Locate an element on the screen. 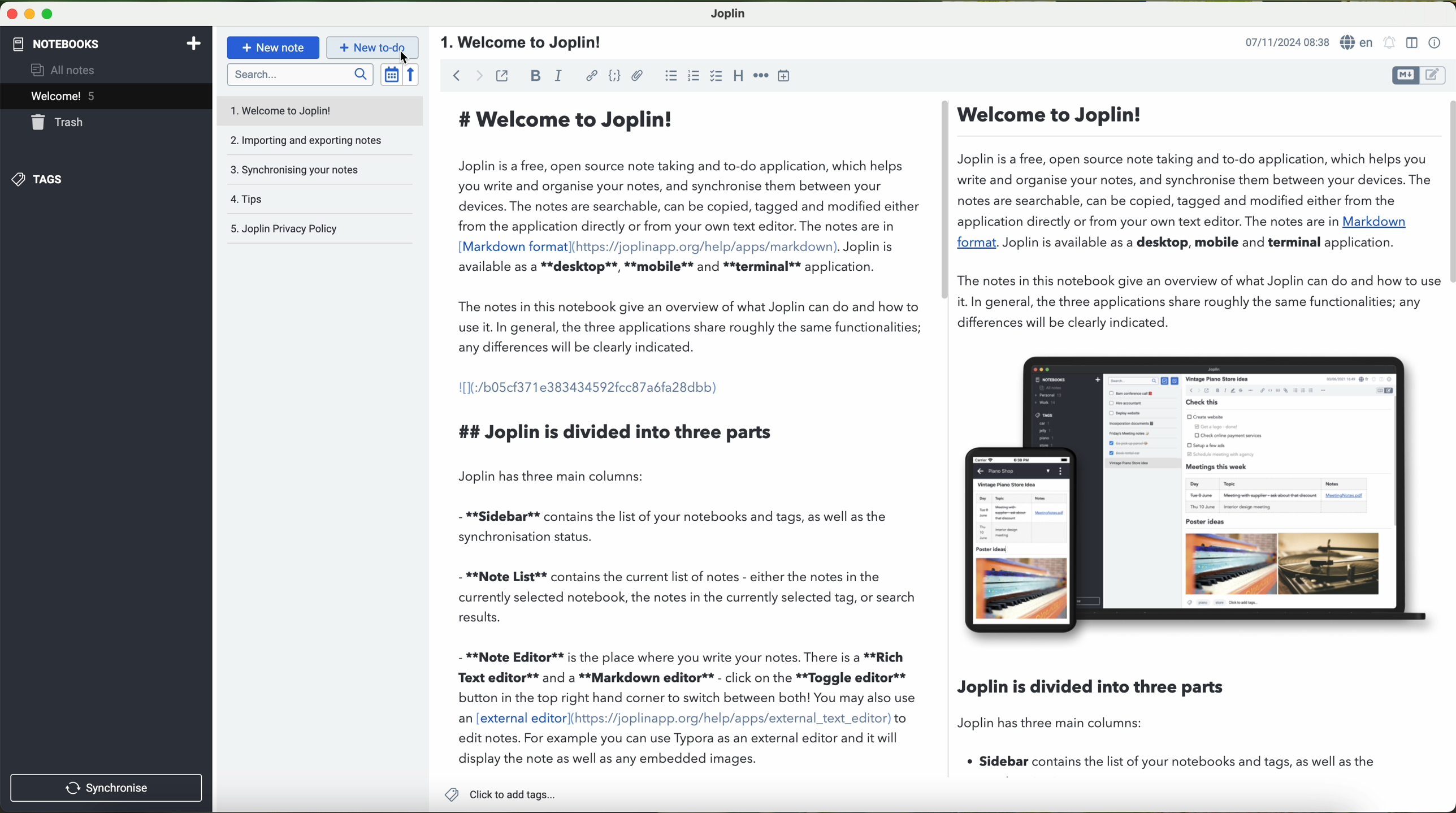 The width and height of the screenshot is (1456, 813). reverse sort order is located at coordinates (414, 75).